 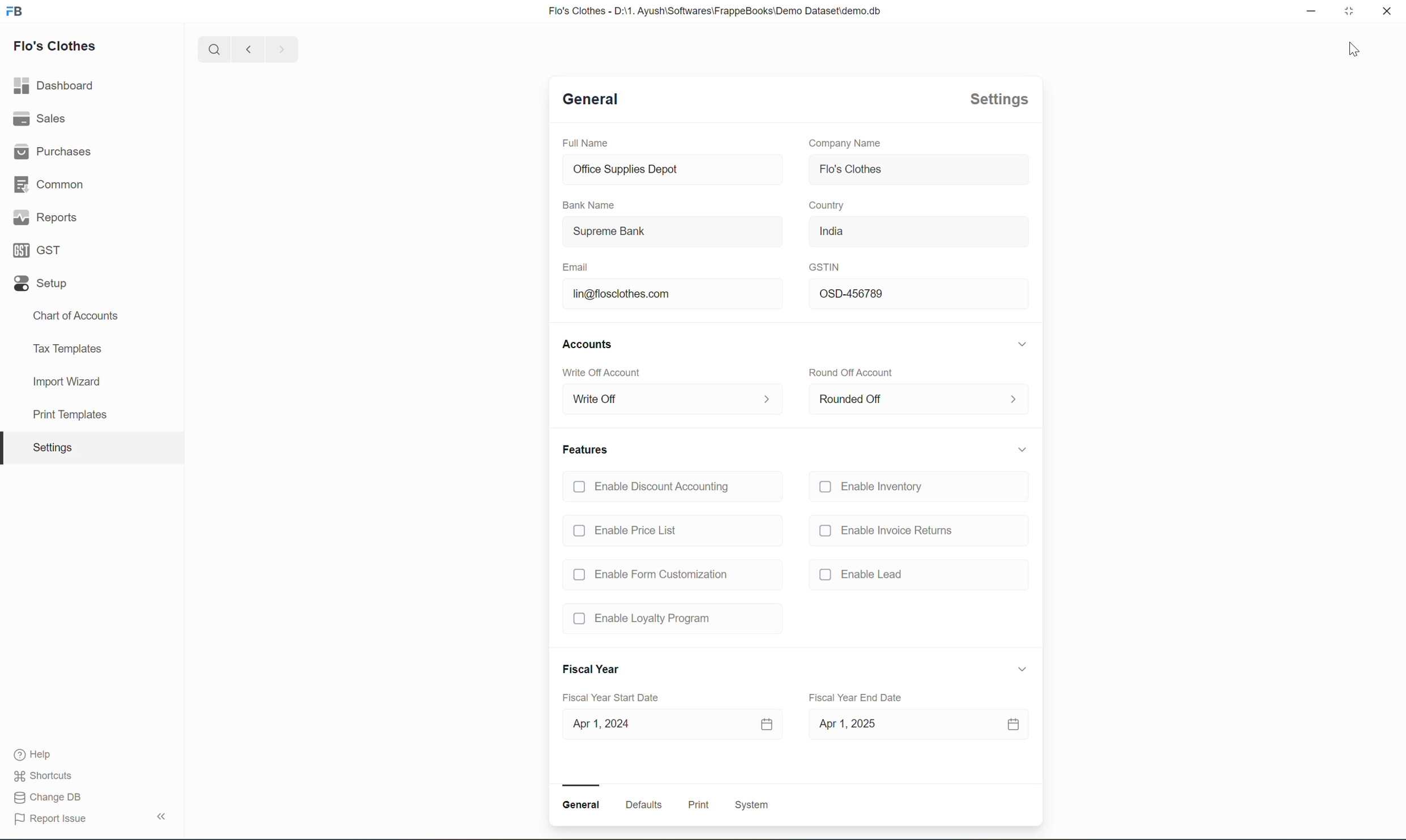 I want to click on search, so click(x=216, y=49).